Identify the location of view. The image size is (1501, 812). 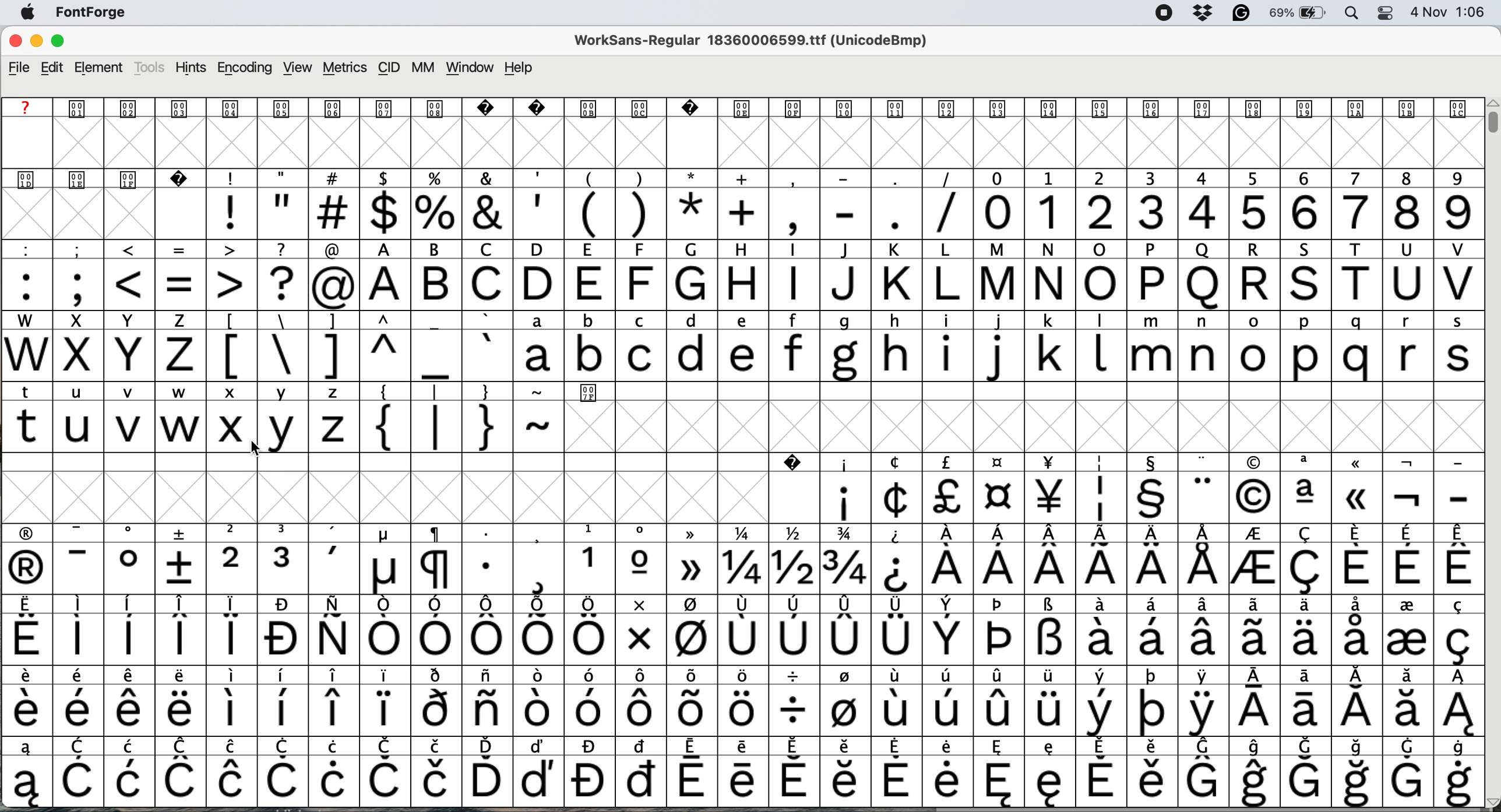
(295, 68).